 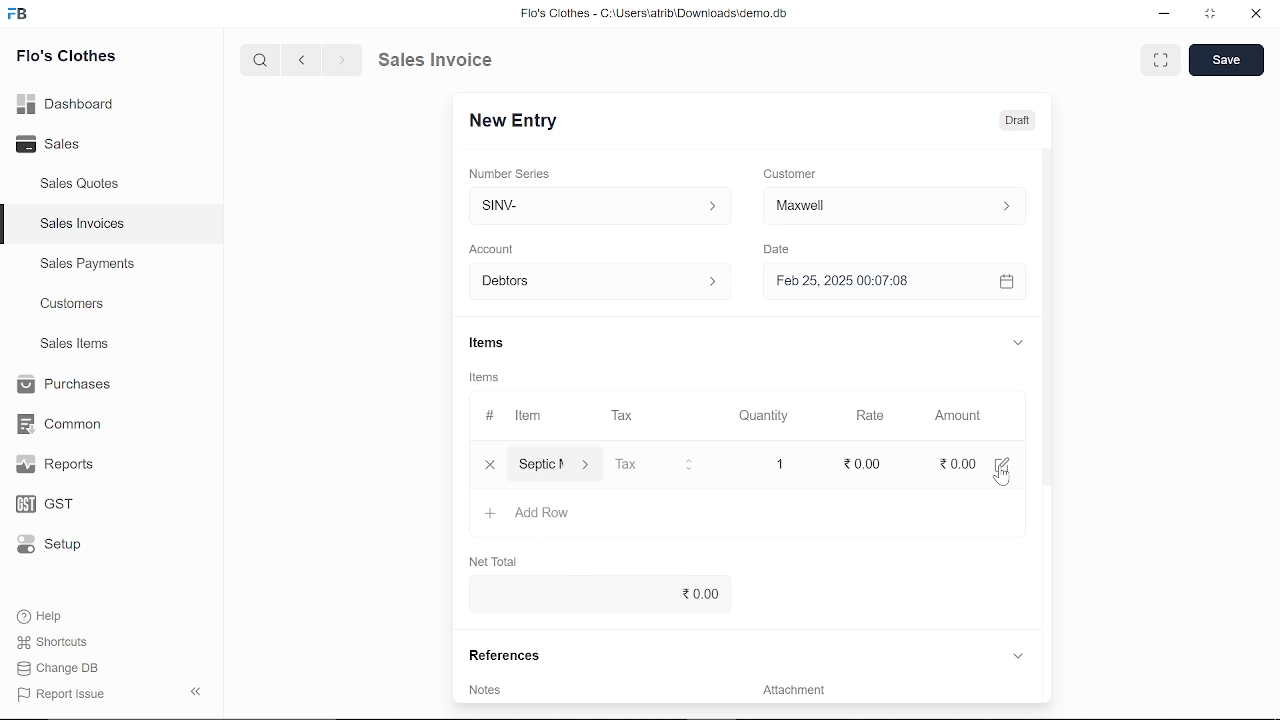 What do you see at coordinates (574, 512) in the screenshot?
I see `‘Septic Maintenence` at bounding box center [574, 512].